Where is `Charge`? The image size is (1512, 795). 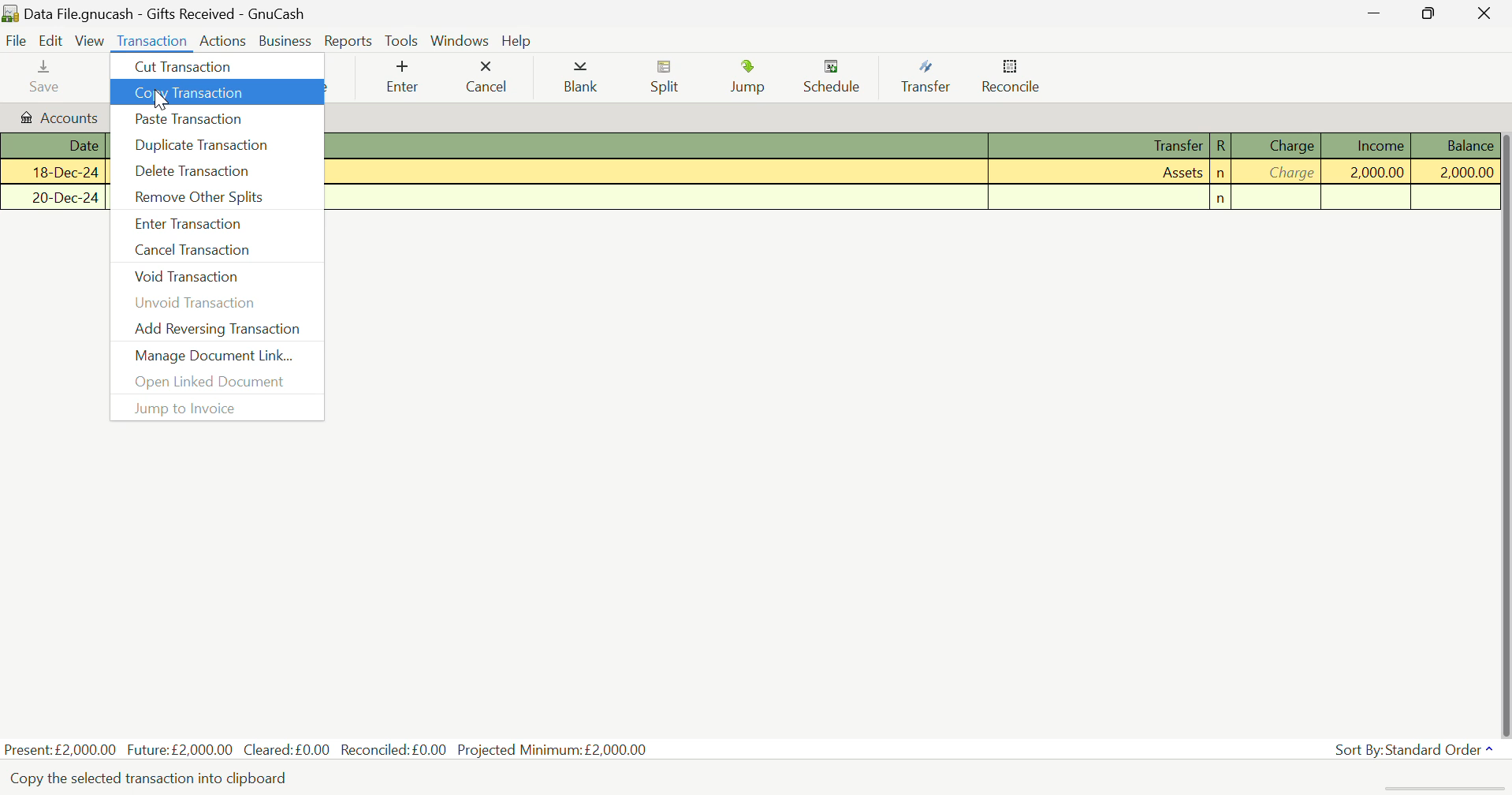 Charge is located at coordinates (1278, 145).